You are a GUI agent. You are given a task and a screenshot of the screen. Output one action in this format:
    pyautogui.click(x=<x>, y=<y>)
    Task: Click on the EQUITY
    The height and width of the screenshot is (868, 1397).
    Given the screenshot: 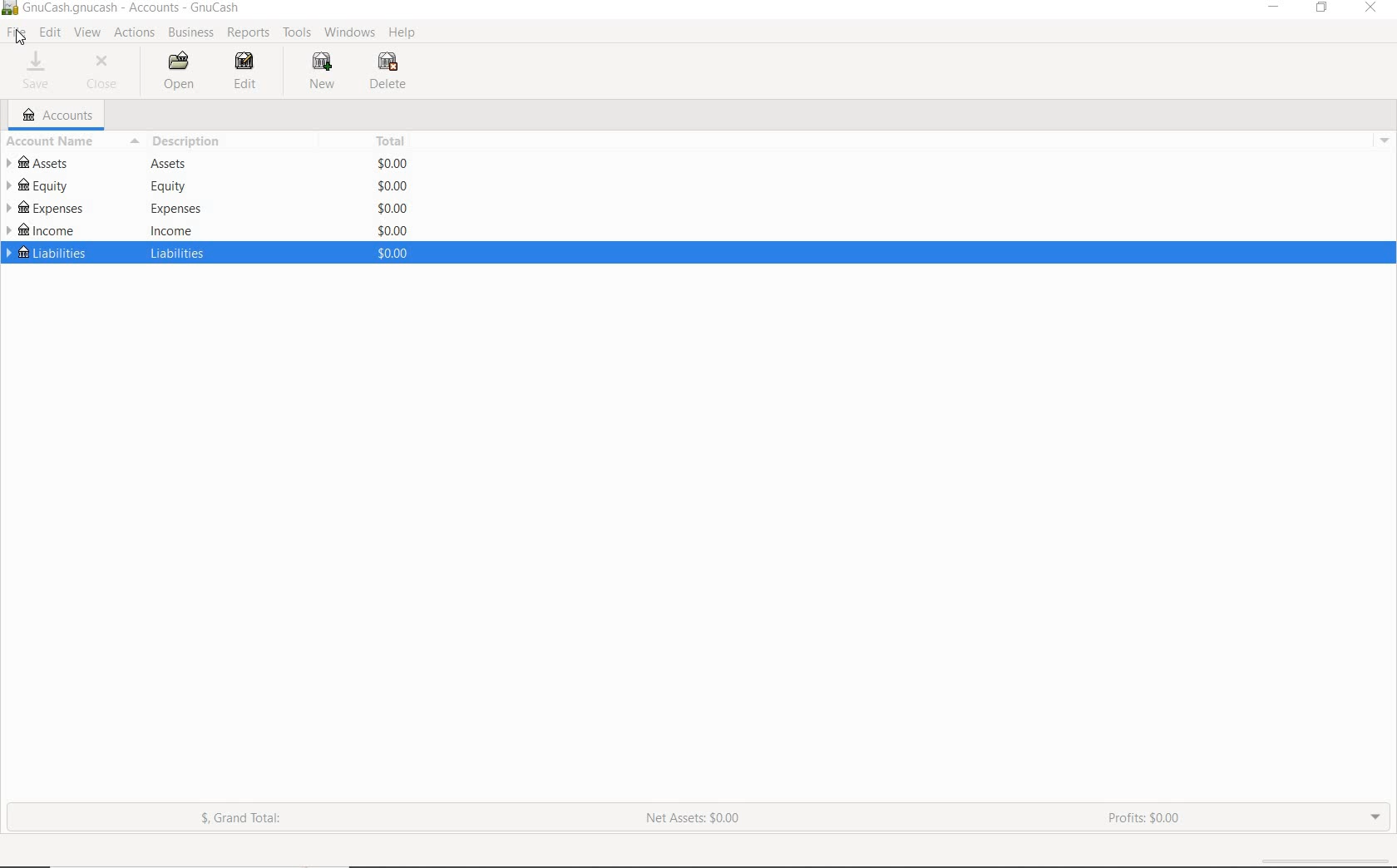 What is the action you would take?
    pyautogui.click(x=43, y=185)
    